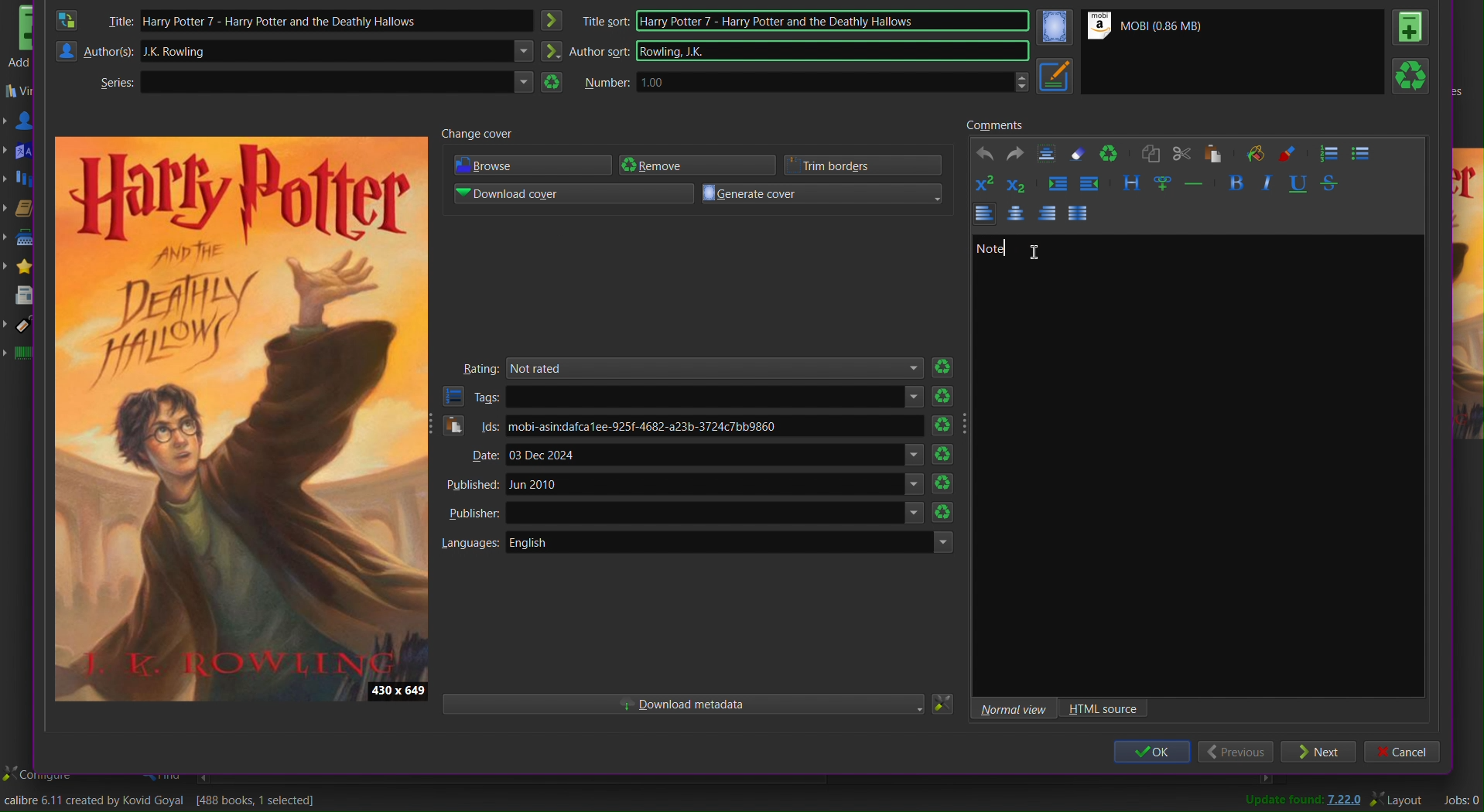  What do you see at coordinates (28, 121) in the screenshot?
I see `Authors` at bounding box center [28, 121].